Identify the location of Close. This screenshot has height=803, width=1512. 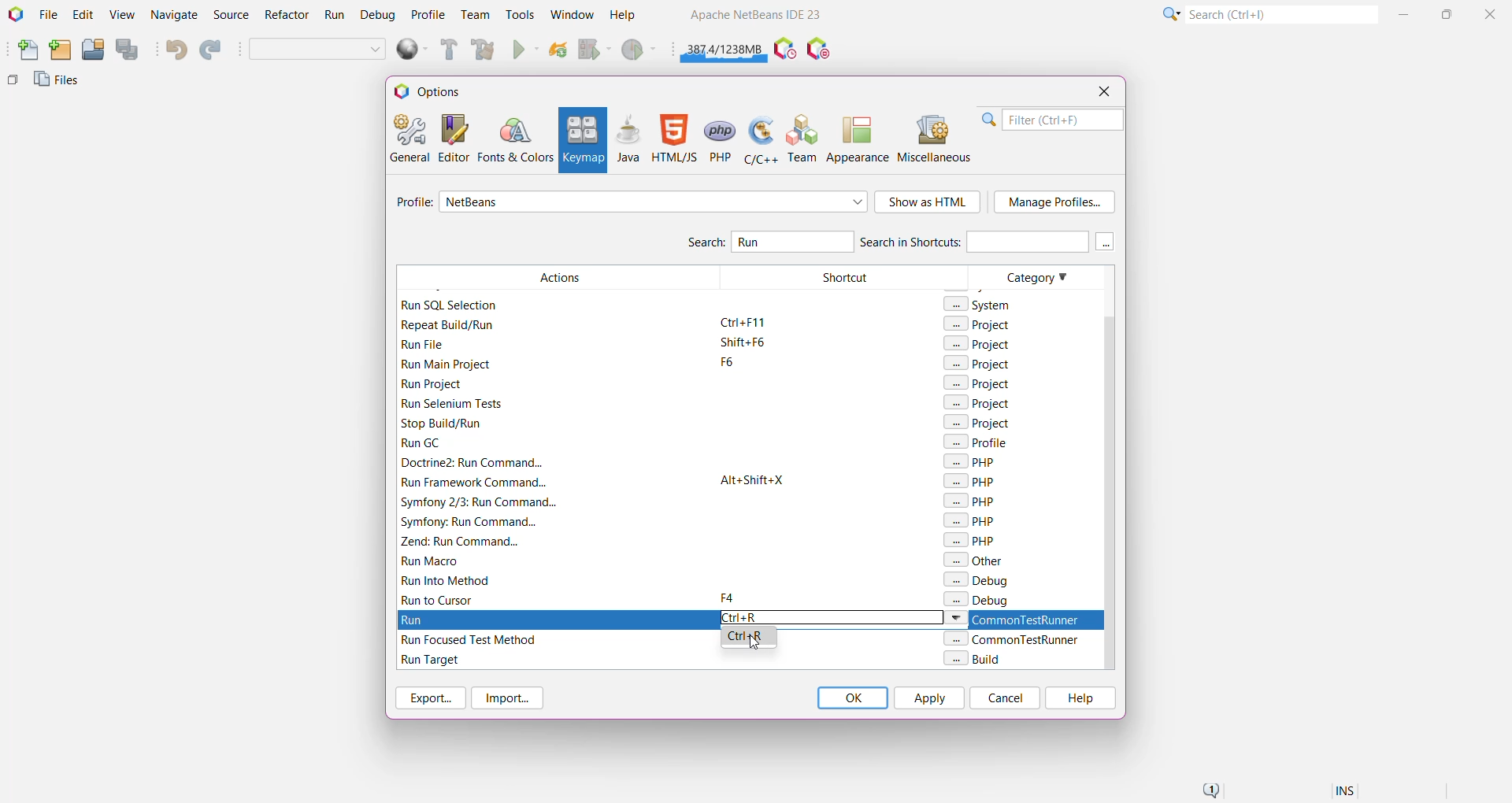
(1103, 91).